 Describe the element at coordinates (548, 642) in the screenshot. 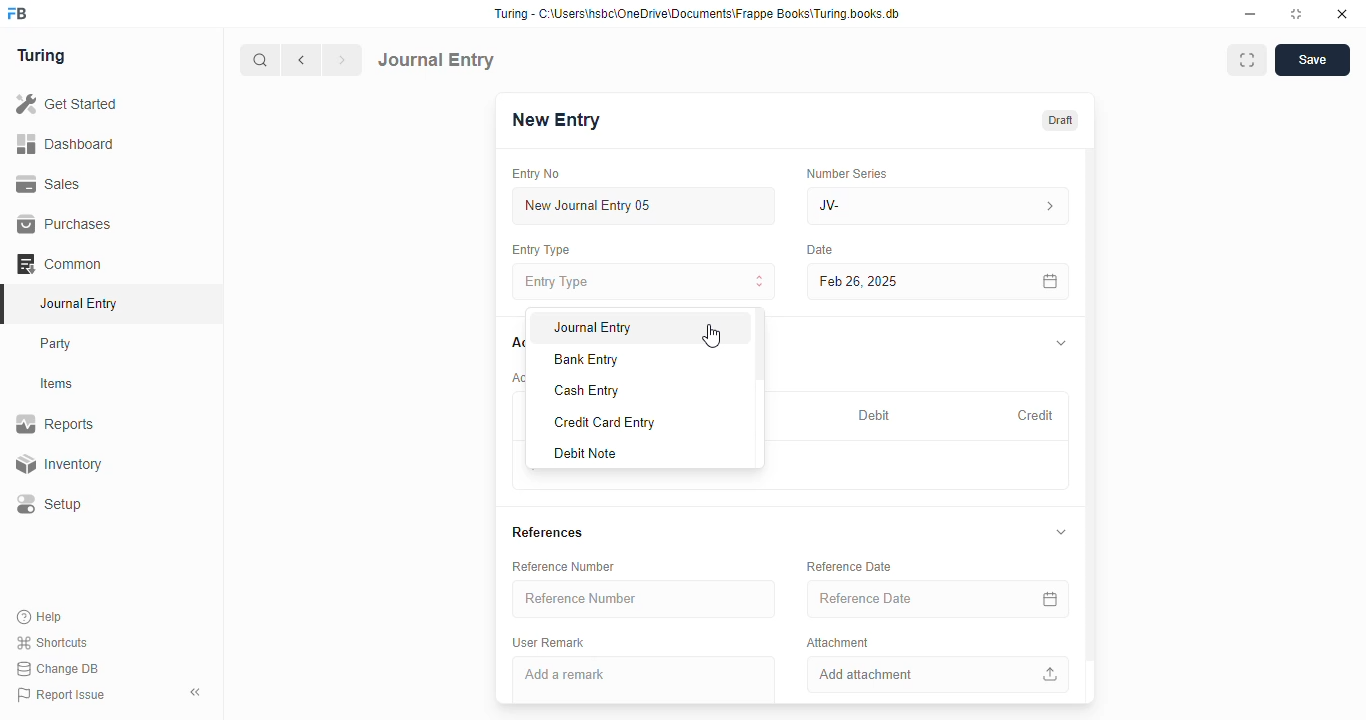

I see `user remark` at that location.